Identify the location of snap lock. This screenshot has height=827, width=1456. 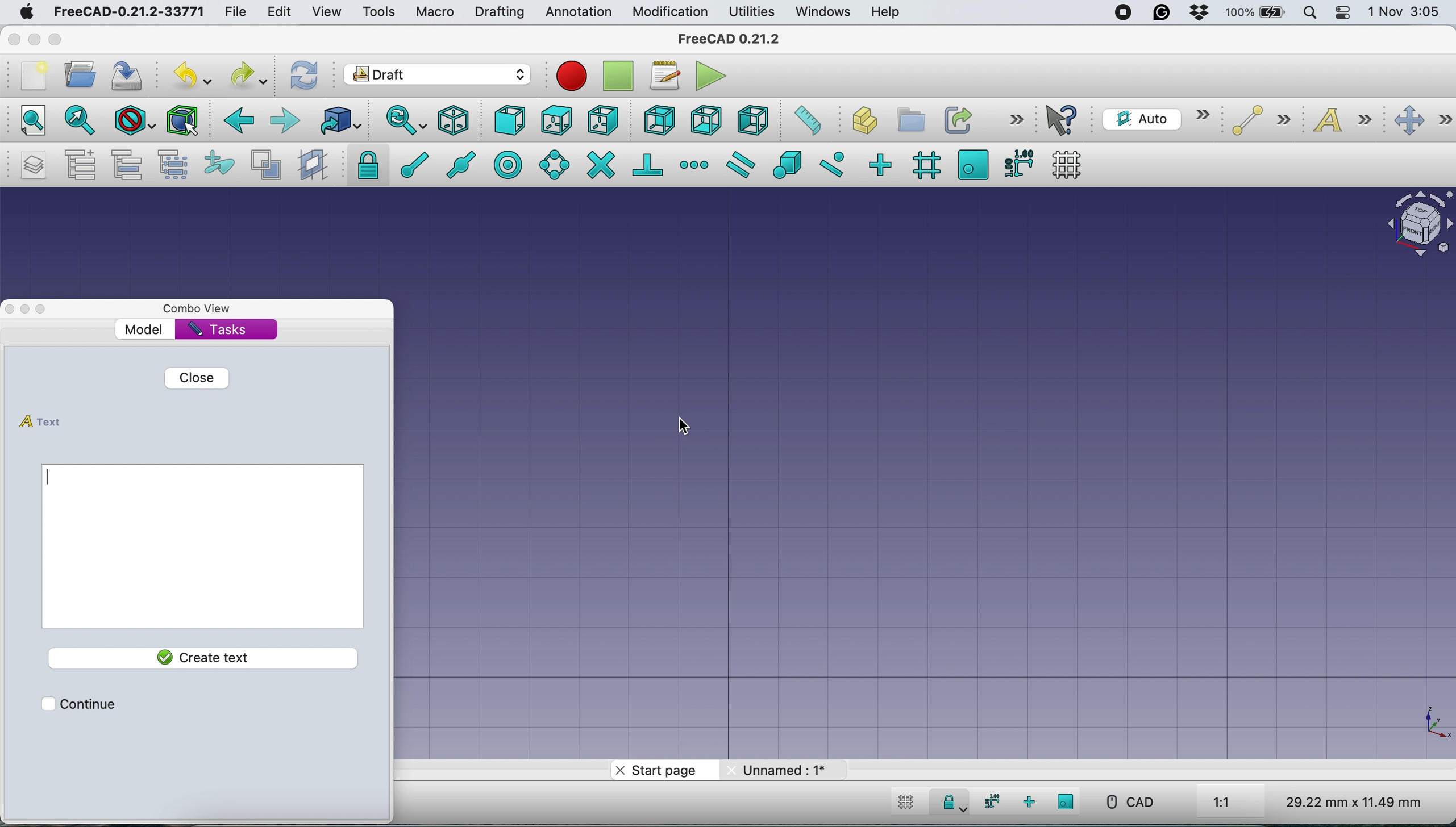
(363, 165).